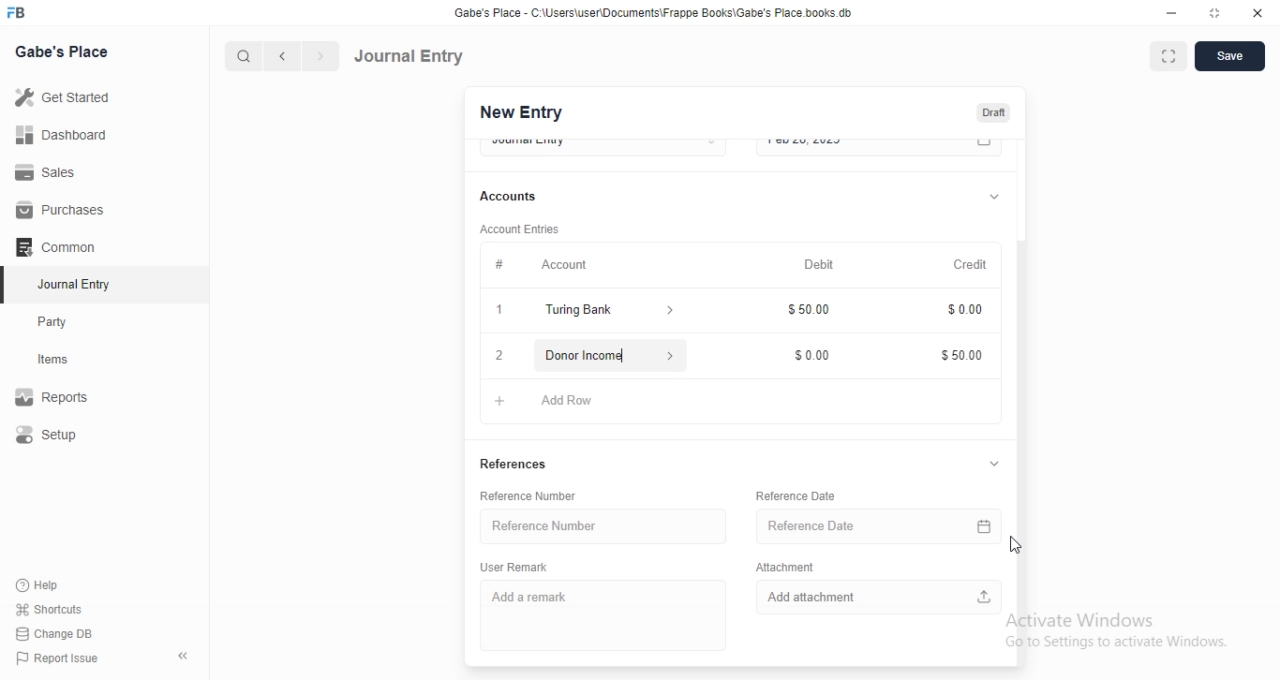 The height and width of the screenshot is (680, 1280). I want to click on calender, so click(988, 523).